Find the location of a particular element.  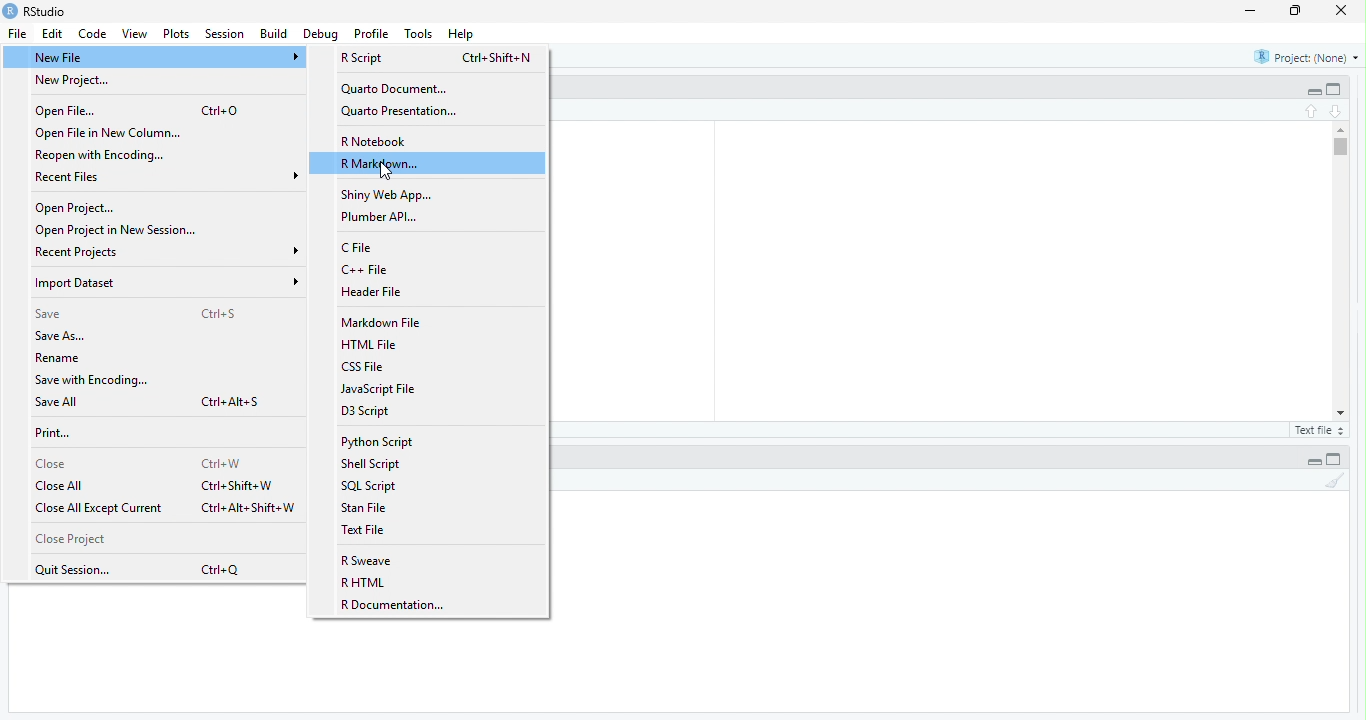

Debug is located at coordinates (323, 35).